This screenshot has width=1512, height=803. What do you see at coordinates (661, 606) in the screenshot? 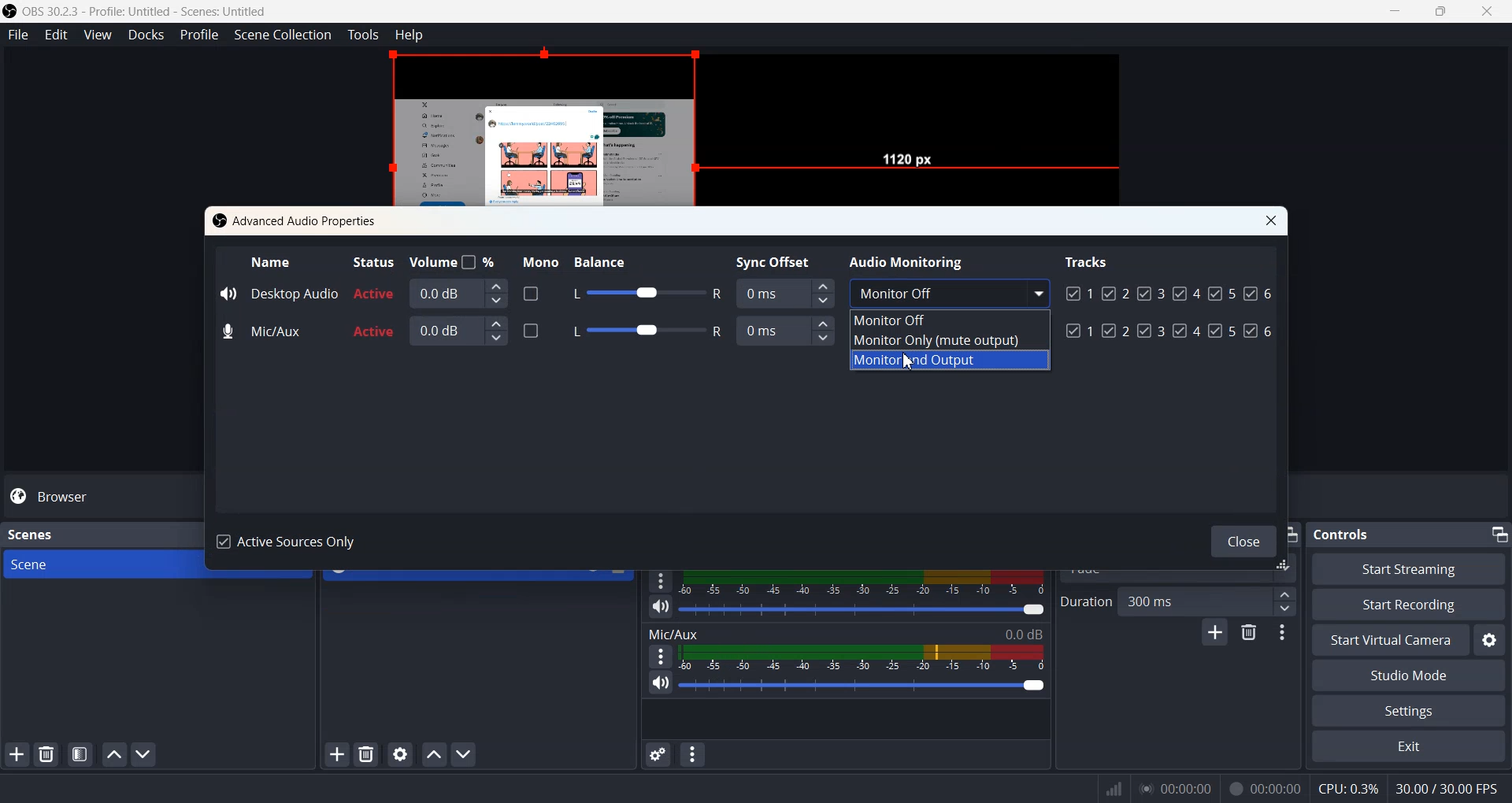
I see `Mute / Unmute` at bounding box center [661, 606].